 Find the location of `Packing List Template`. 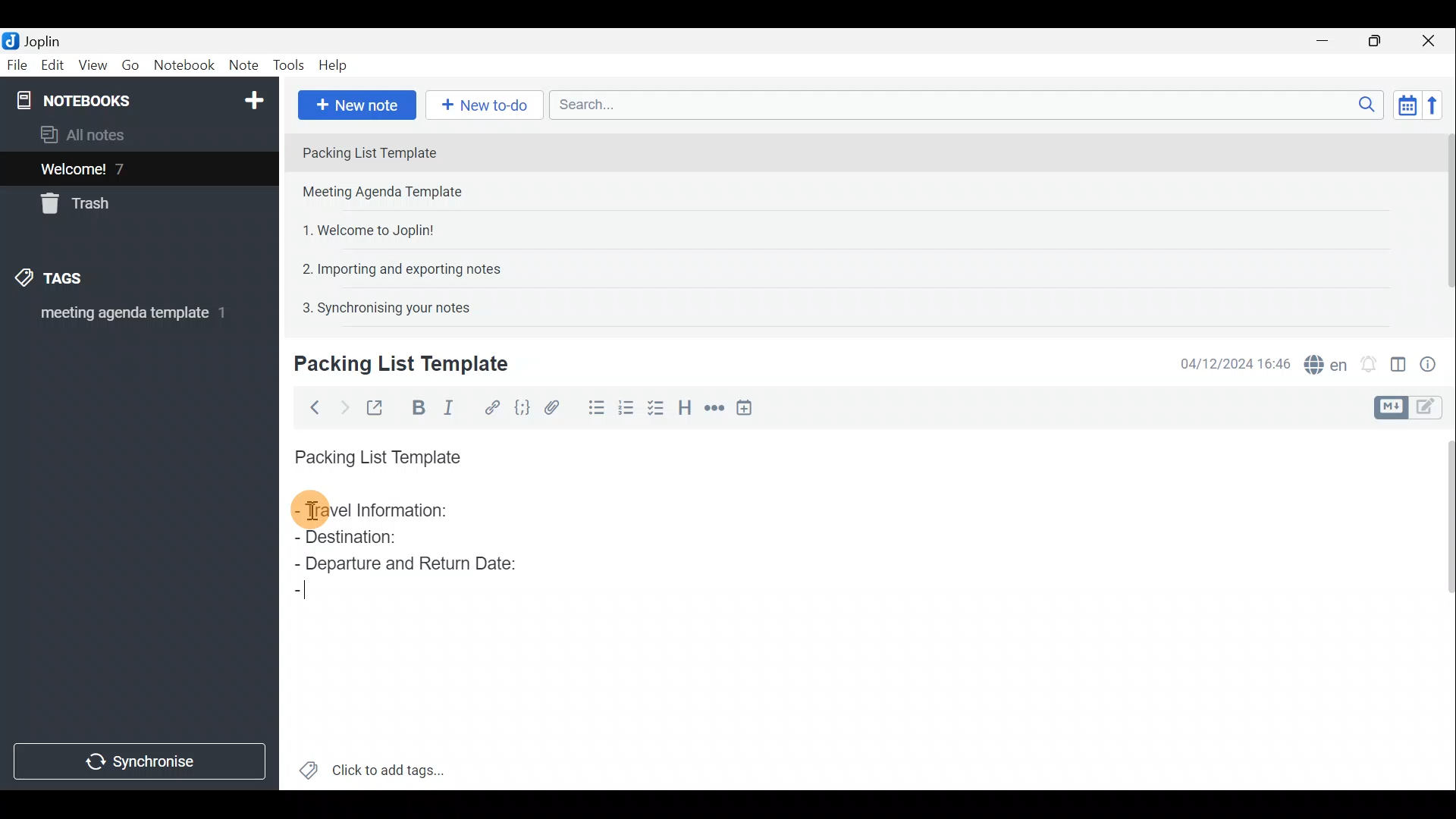

Packing List Template is located at coordinates (375, 453).